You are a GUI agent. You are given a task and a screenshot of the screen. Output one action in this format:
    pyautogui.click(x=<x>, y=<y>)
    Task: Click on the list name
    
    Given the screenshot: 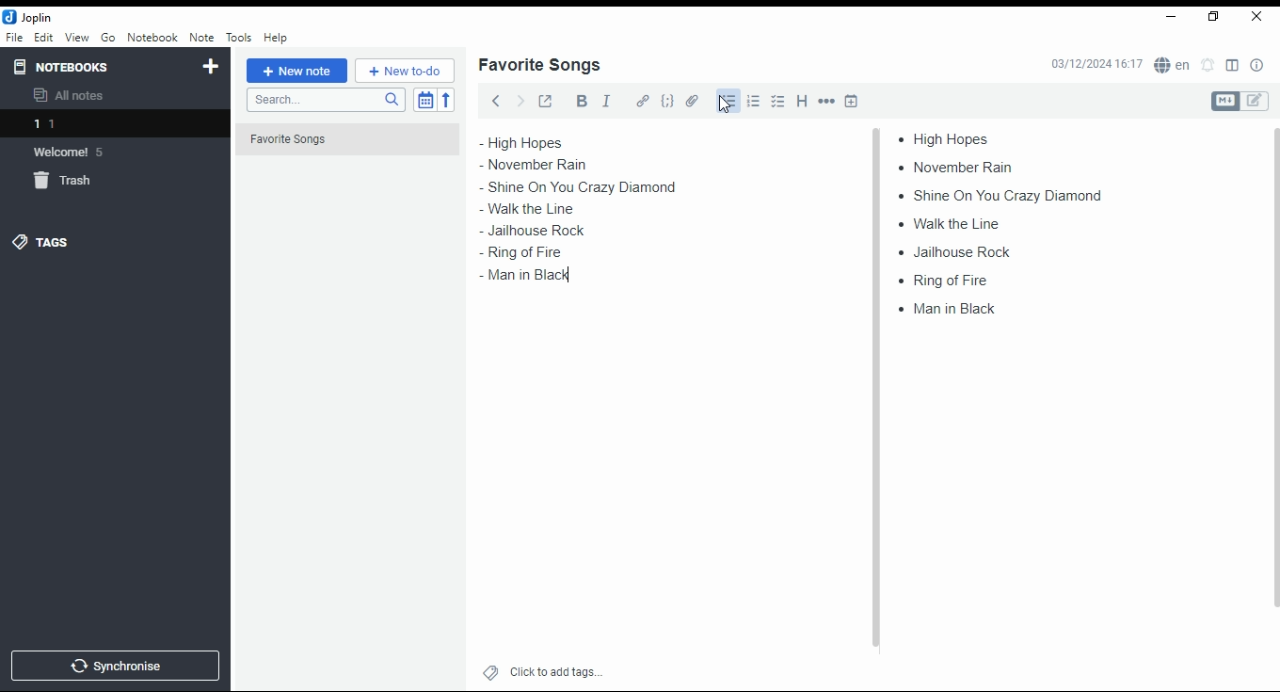 What is the action you would take?
    pyautogui.click(x=539, y=66)
    